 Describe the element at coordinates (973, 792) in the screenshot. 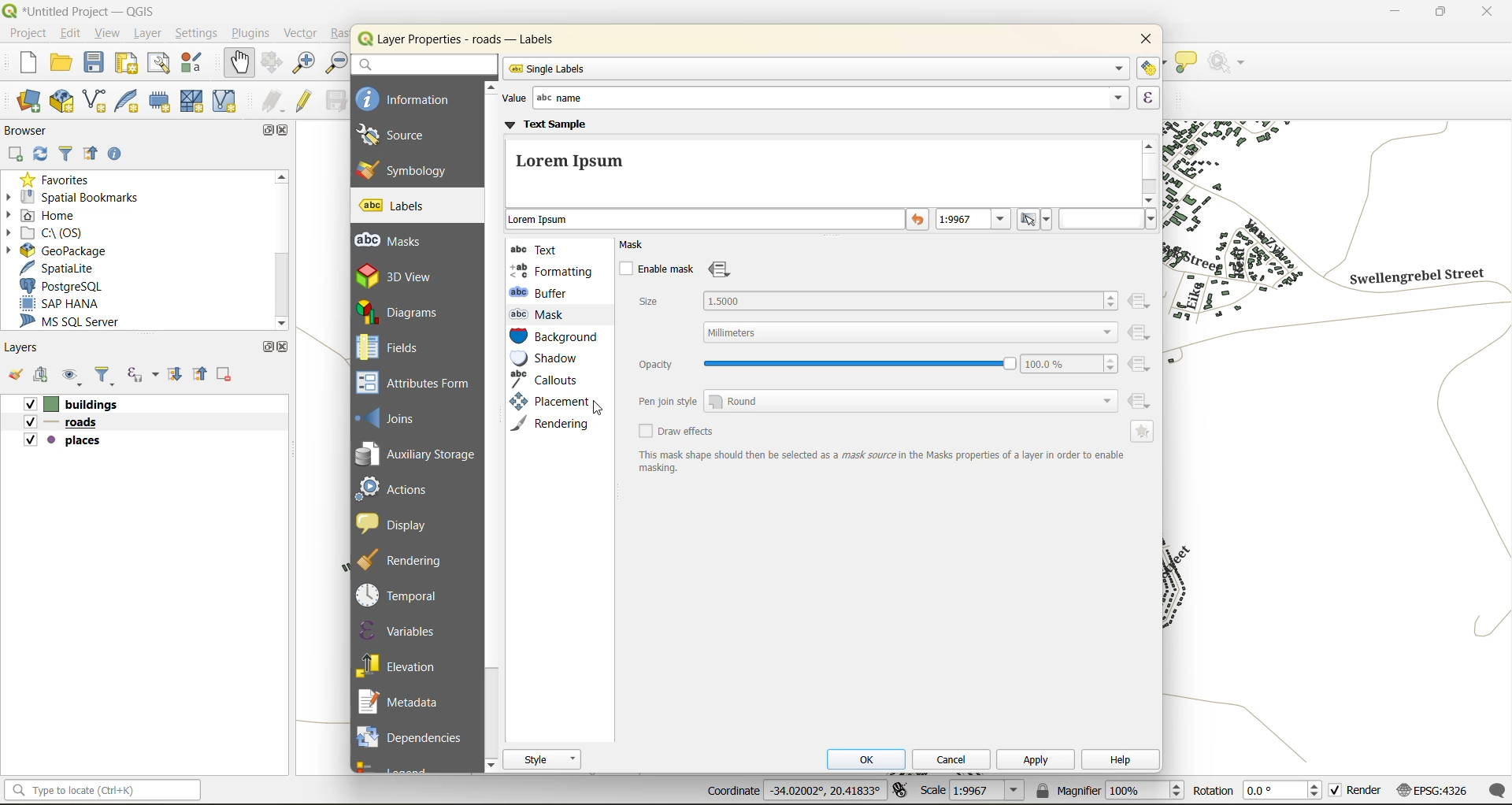

I see `scale` at that location.